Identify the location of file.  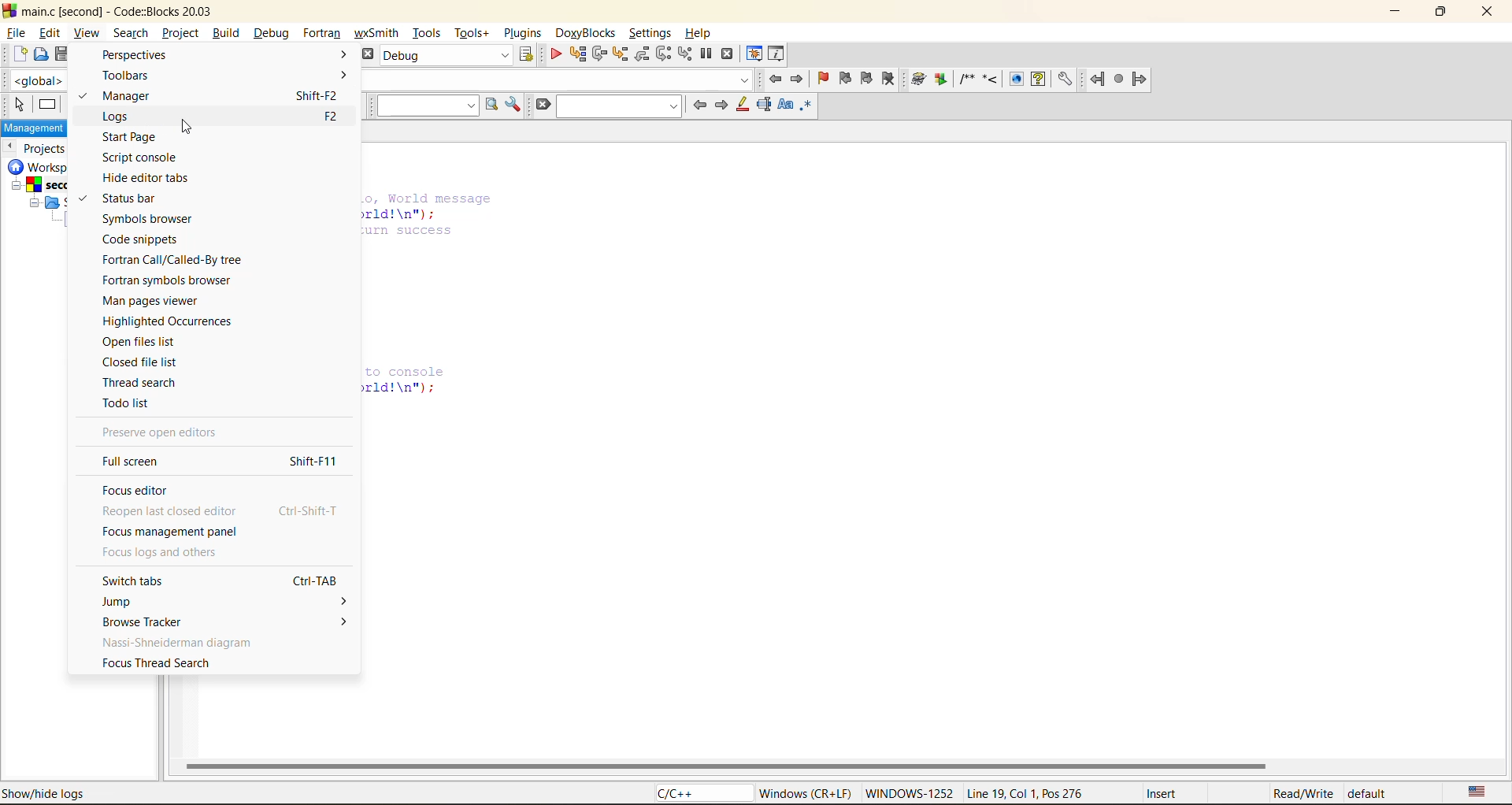
(17, 31).